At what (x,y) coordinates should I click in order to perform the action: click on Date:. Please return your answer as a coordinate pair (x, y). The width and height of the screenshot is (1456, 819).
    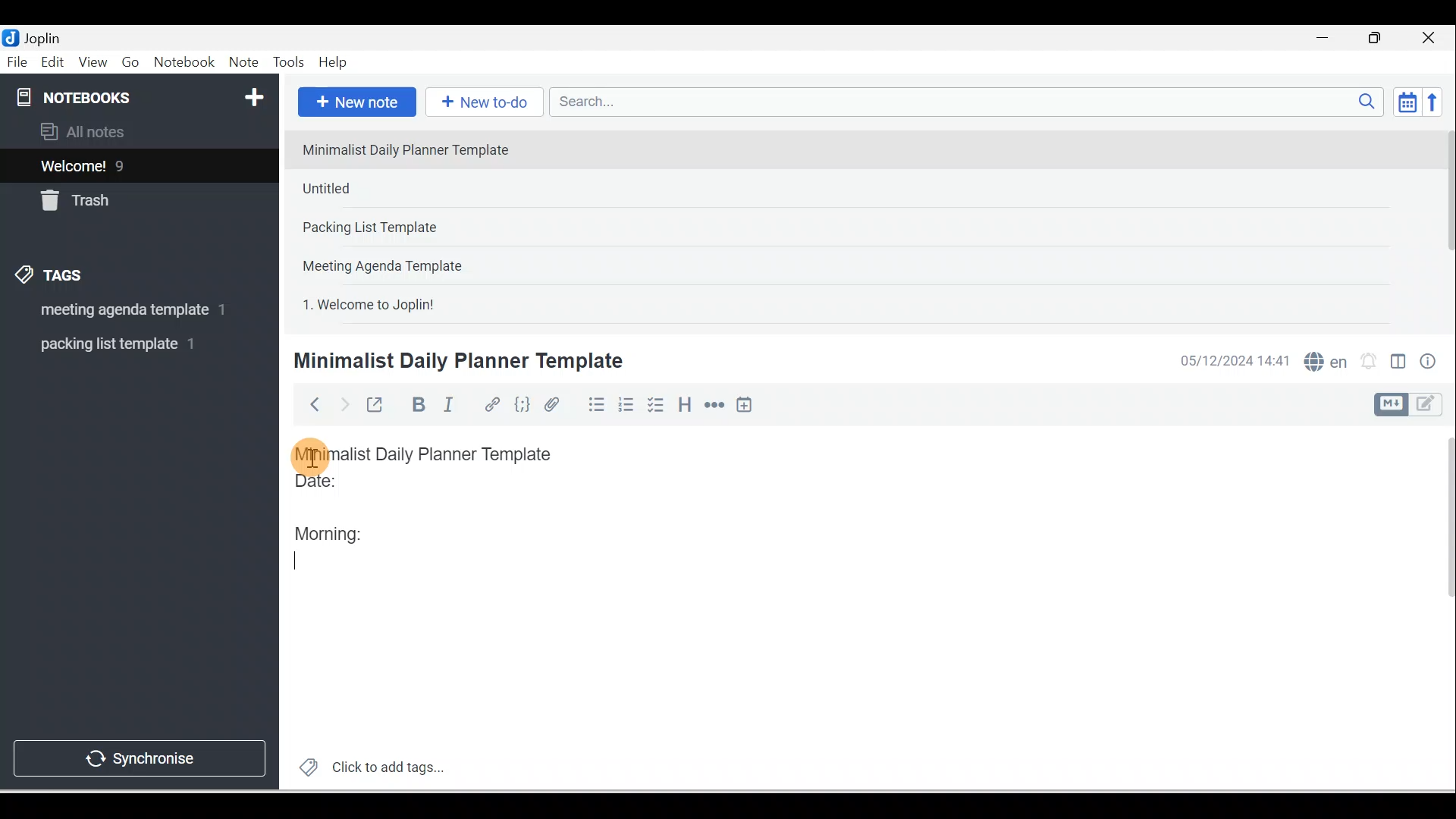
    Looking at the image, I should click on (359, 488).